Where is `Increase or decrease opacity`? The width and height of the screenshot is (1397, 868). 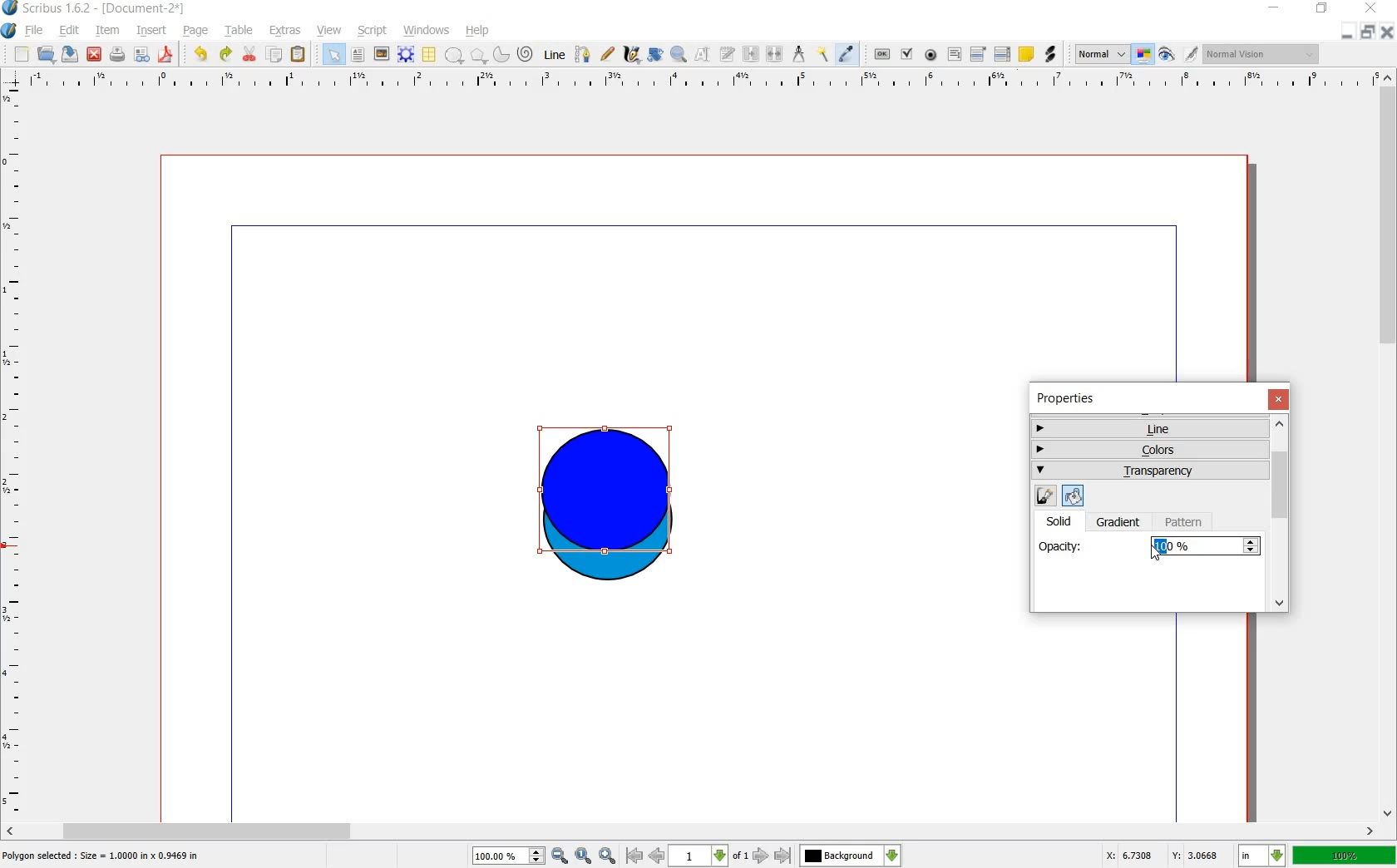
Increase or decrease opacity is located at coordinates (1251, 547).